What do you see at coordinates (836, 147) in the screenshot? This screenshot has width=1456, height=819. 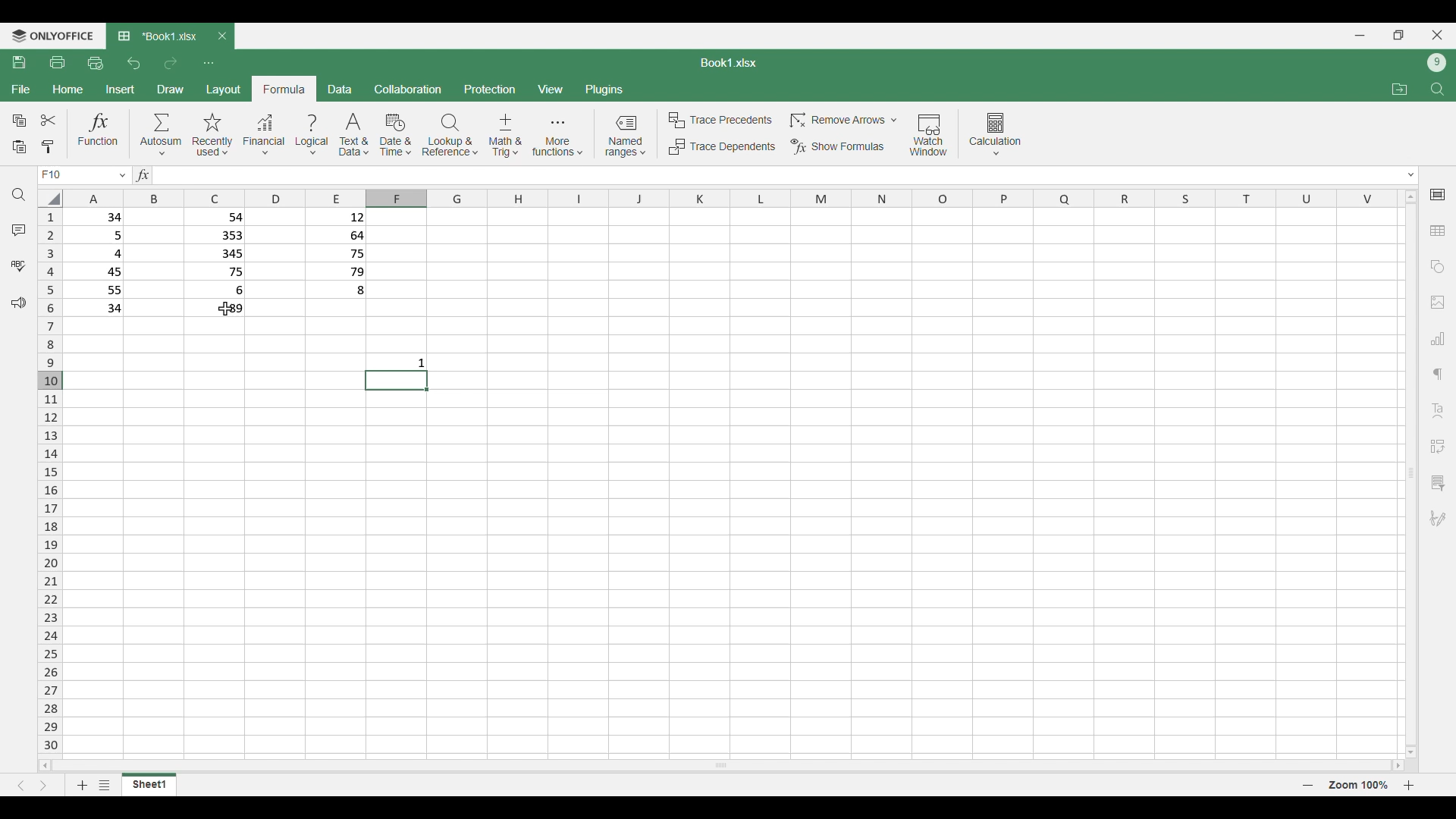 I see `Show formulas` at bounding box center [836, 147].